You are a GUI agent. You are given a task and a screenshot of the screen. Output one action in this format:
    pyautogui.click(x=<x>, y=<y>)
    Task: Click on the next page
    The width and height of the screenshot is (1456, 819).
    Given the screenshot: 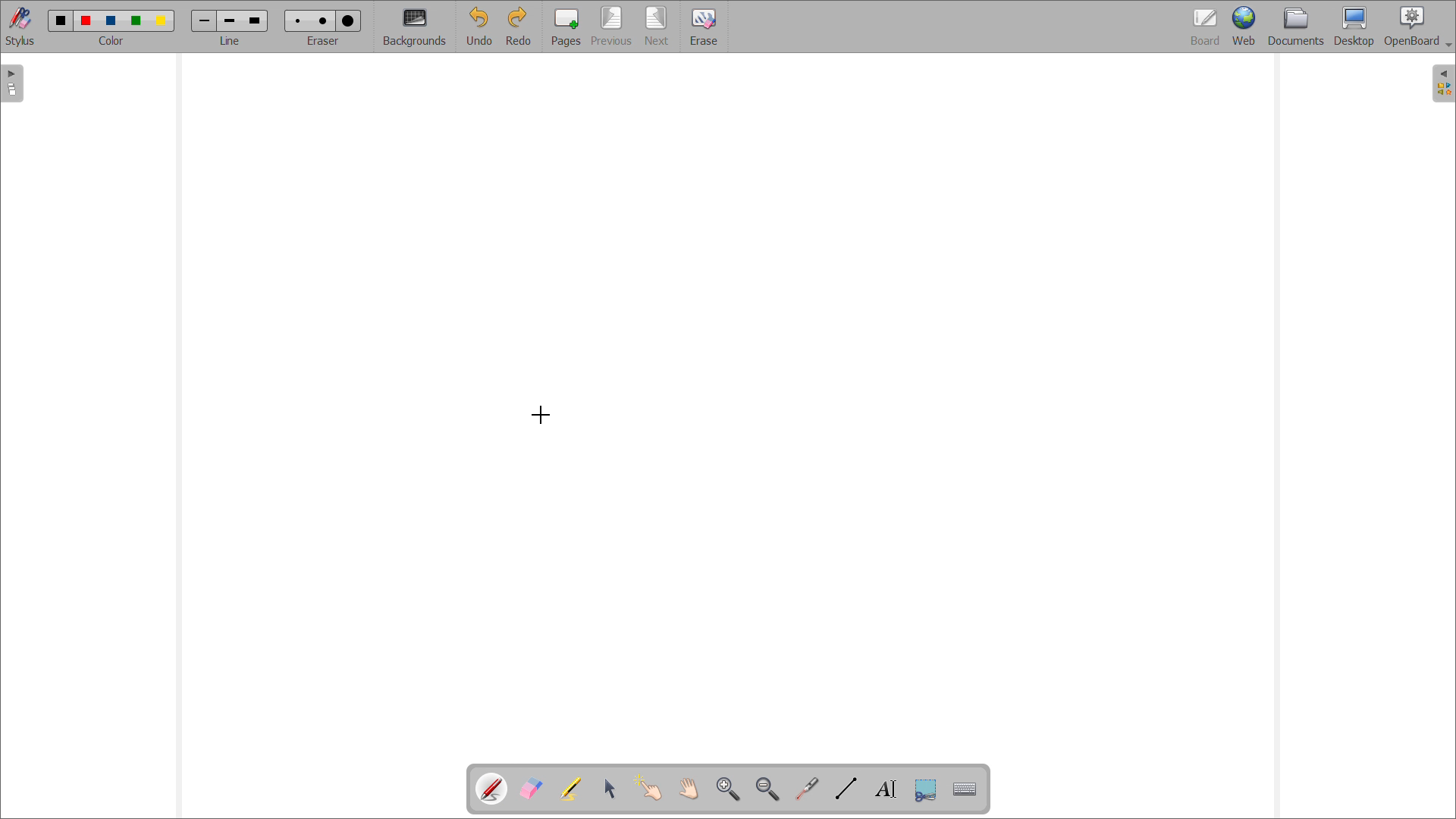 What is the action you would take?
    pyautogui.click(x=657, y=27)
    